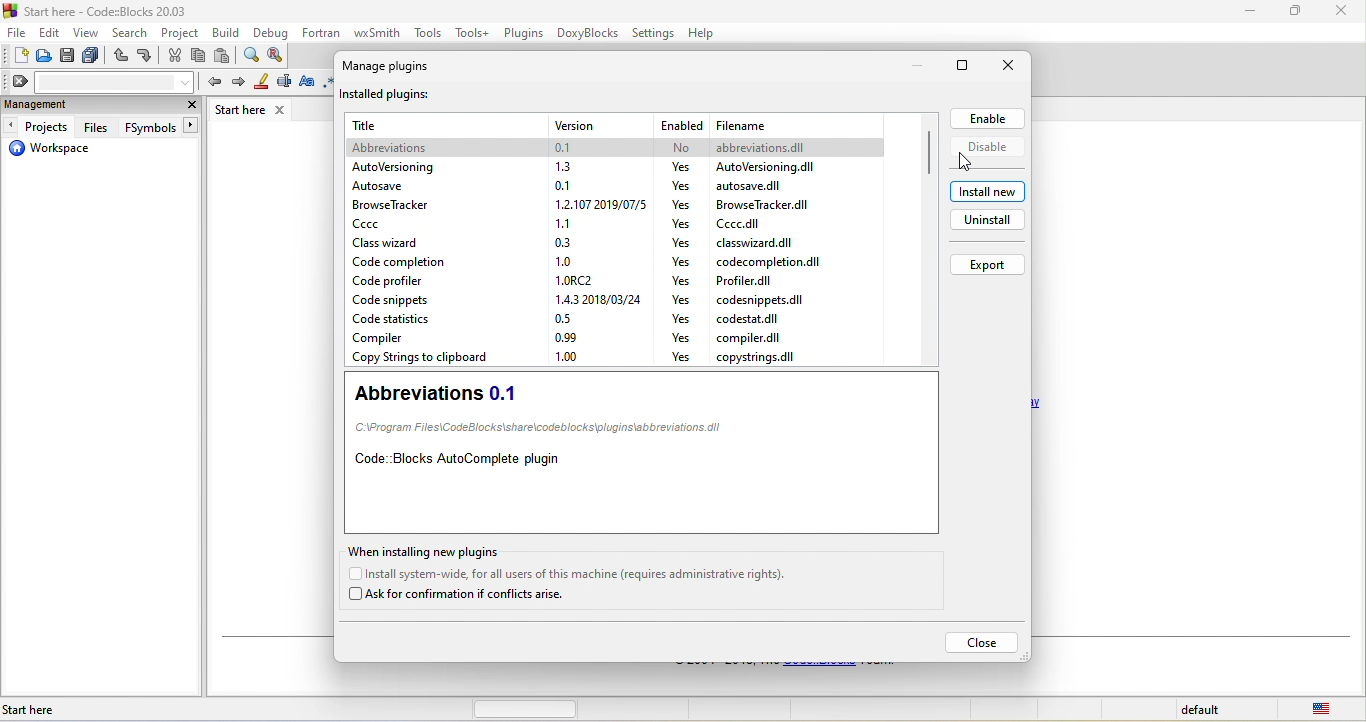 The image size is (1366, 722). I want to click on debug, so click(275, 32).